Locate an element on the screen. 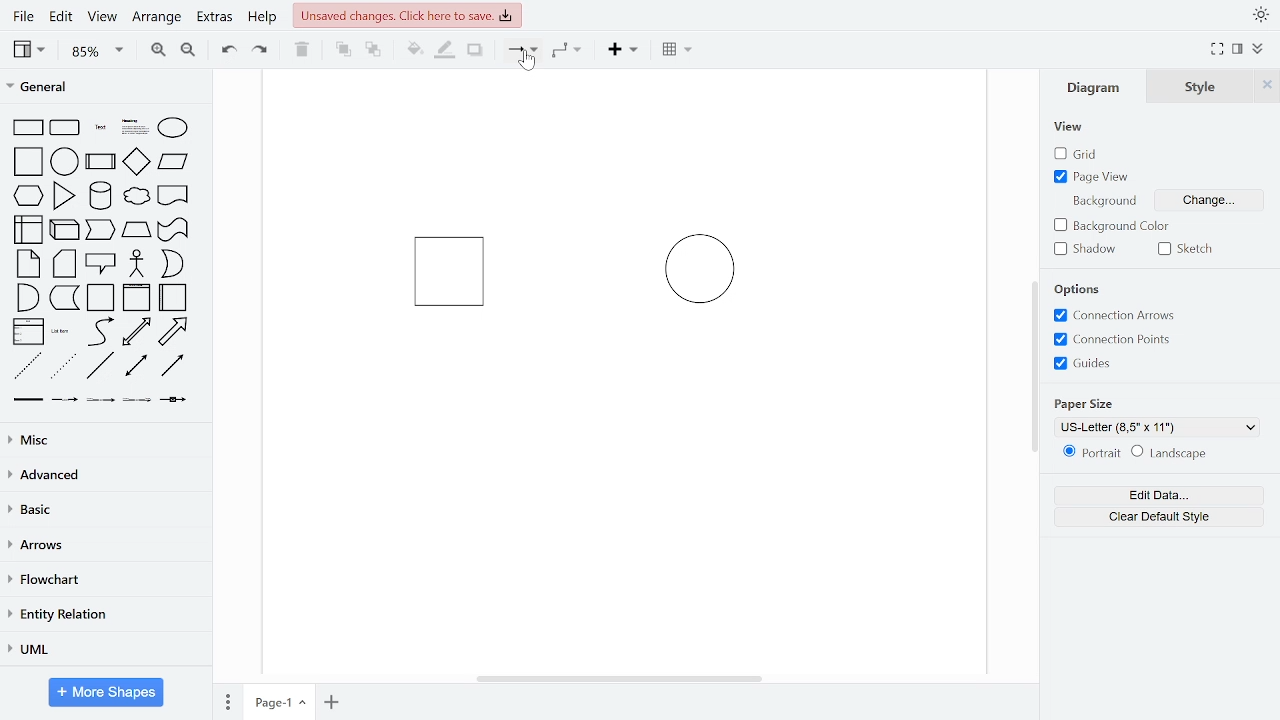 This screenshot has height=720, width=1280. grid is located at coordinates (1086, 154).